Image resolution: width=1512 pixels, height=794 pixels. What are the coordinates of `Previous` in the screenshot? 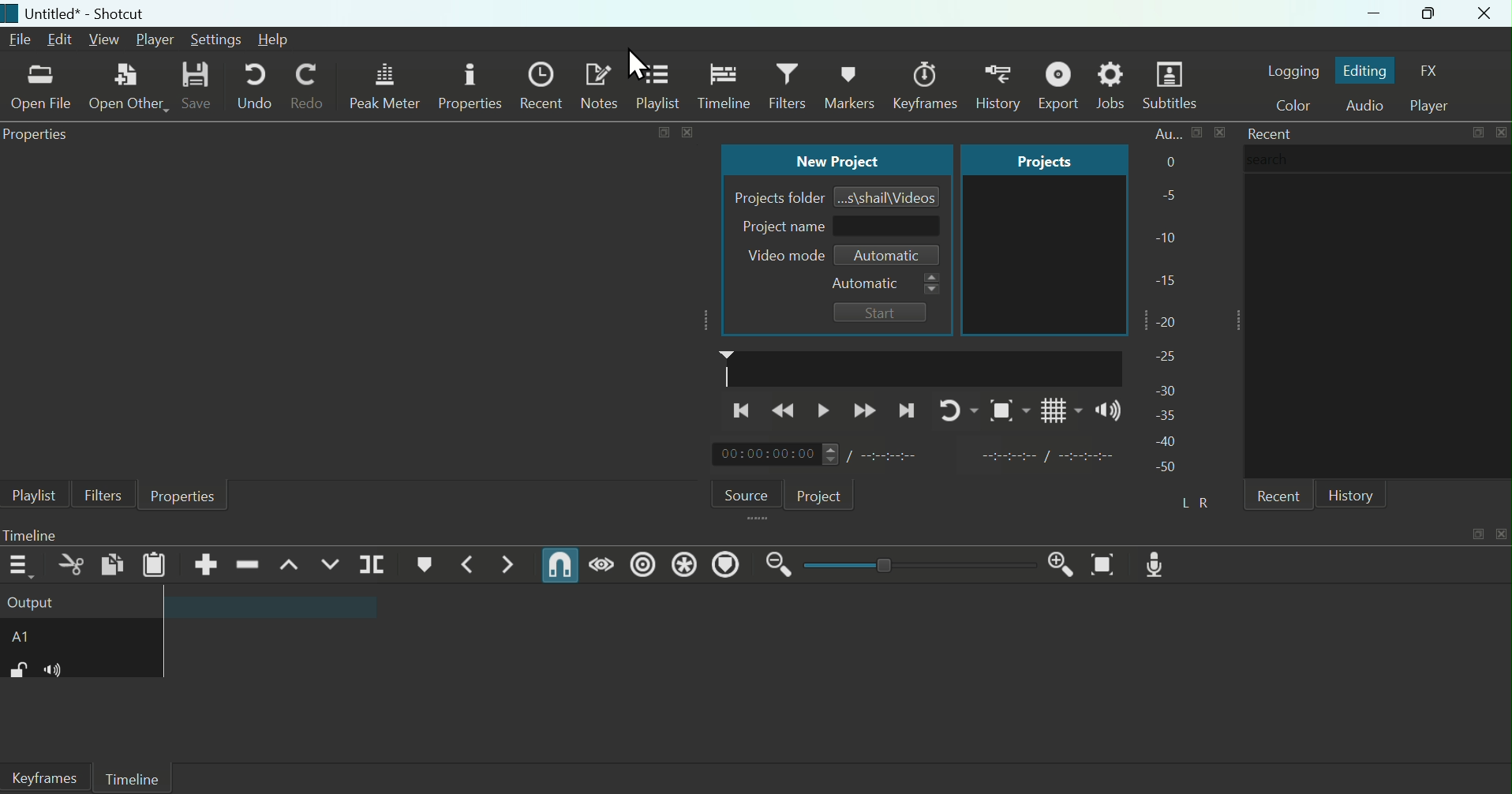 It's located at (741, 412).